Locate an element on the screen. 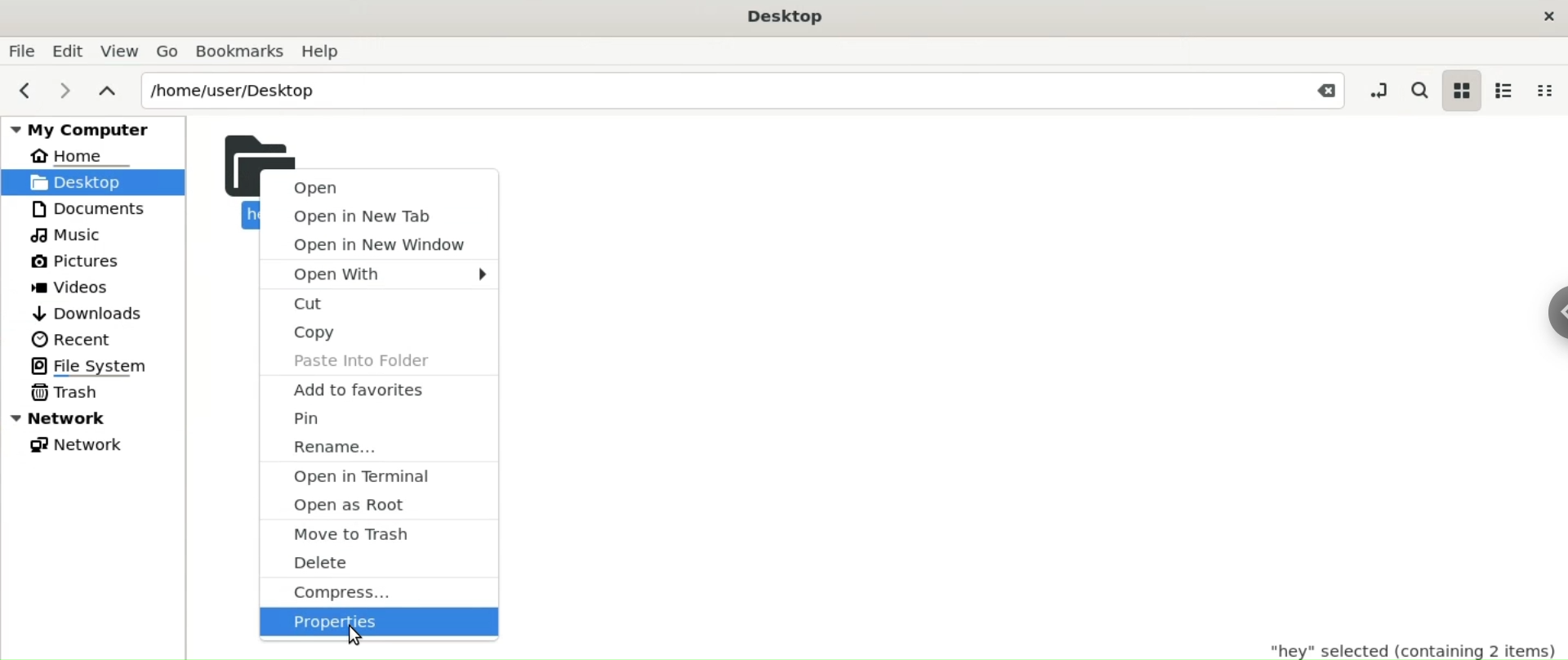 The image size is (1568, 660). File is located at coordinates (22, 50).